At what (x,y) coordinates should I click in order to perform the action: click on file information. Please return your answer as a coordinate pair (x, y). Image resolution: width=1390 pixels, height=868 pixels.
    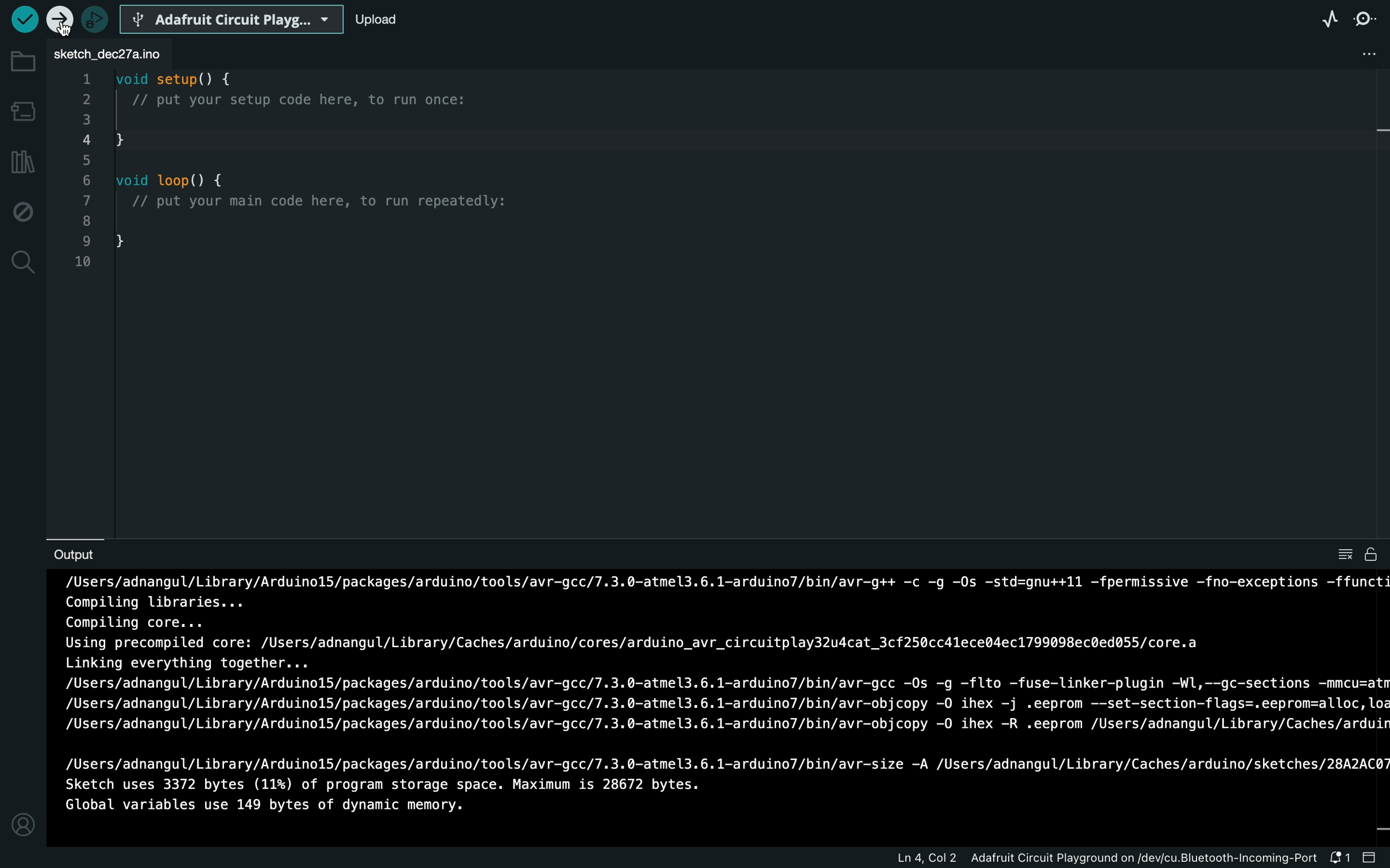
    Looking at the image, I should click on (1101, 858).